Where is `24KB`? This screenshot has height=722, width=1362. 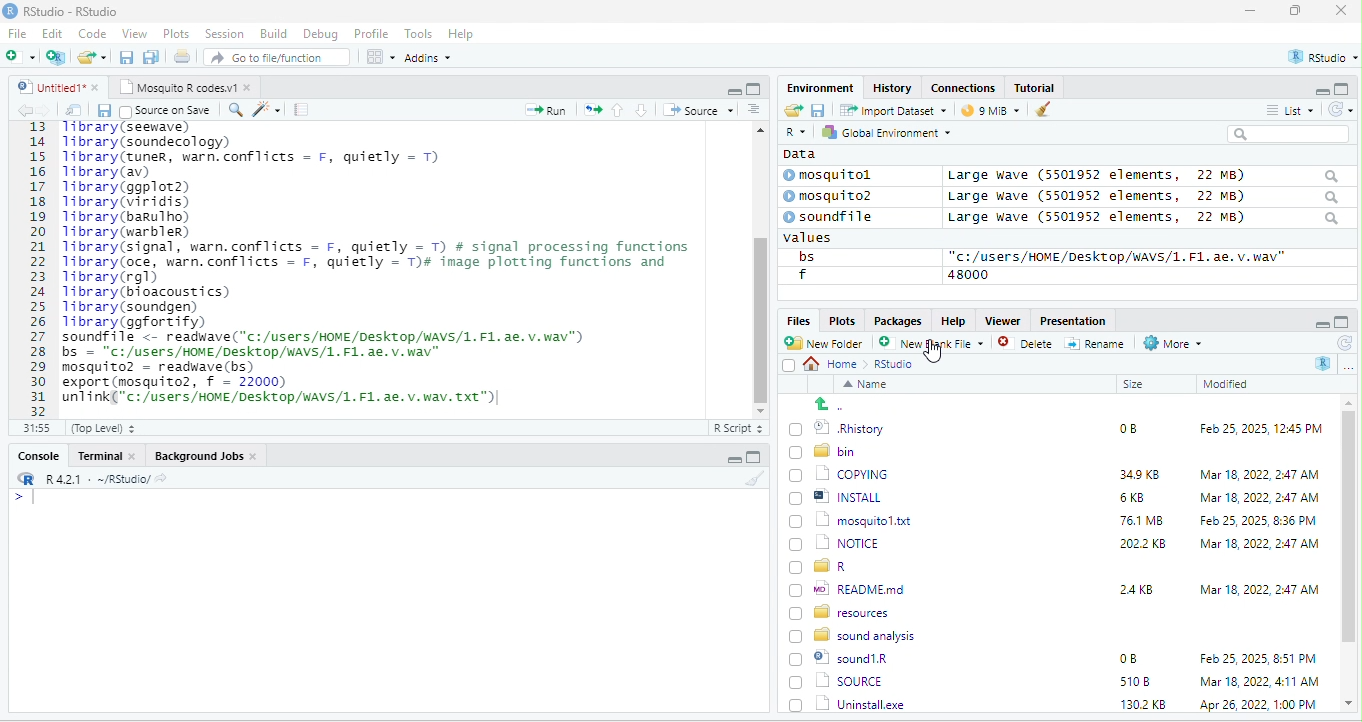 24KB is located at coordinates (1133, 588).